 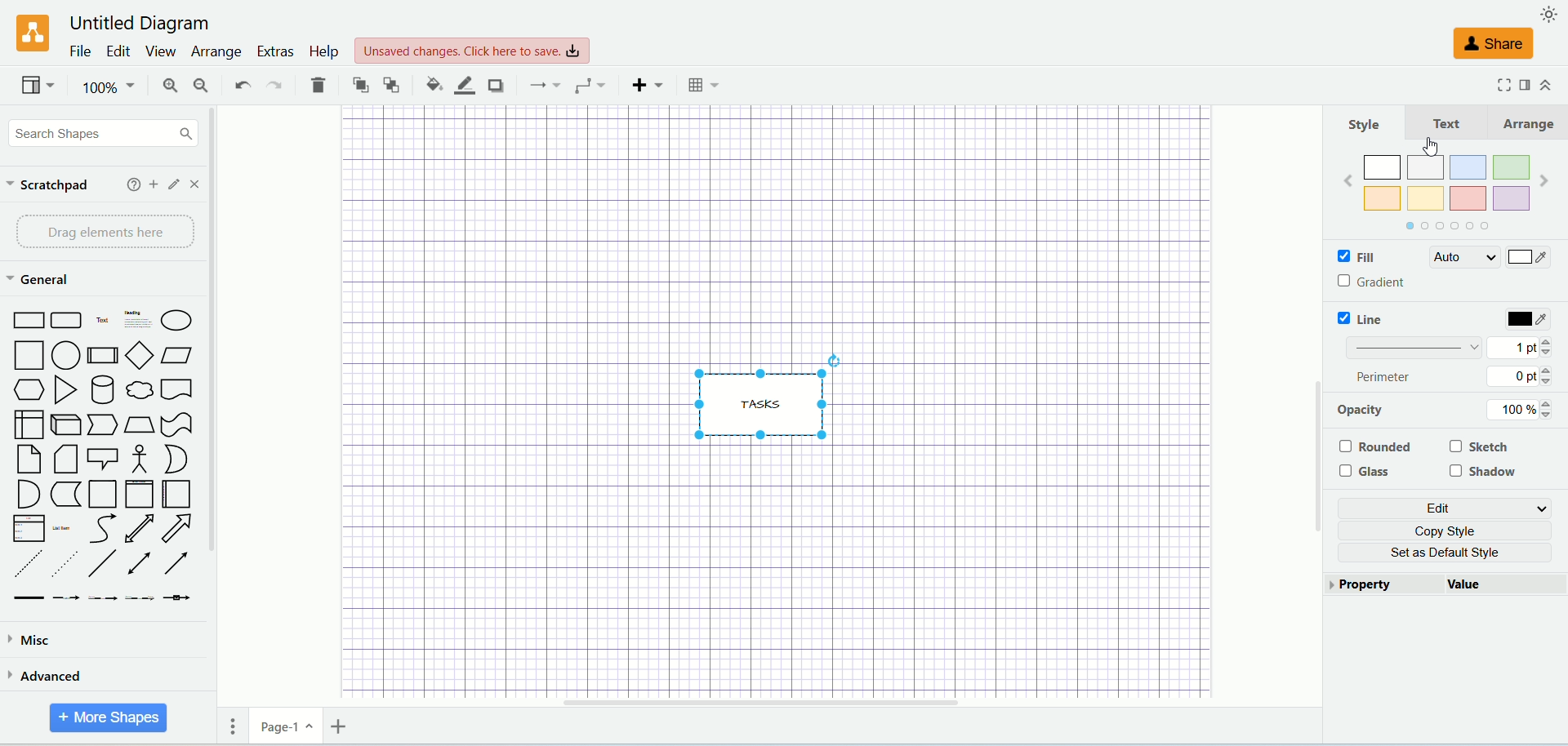 What do you see at coordinates (586, 84) in the screenshot?
I see `waypoint` at bounding box center [586, 84].